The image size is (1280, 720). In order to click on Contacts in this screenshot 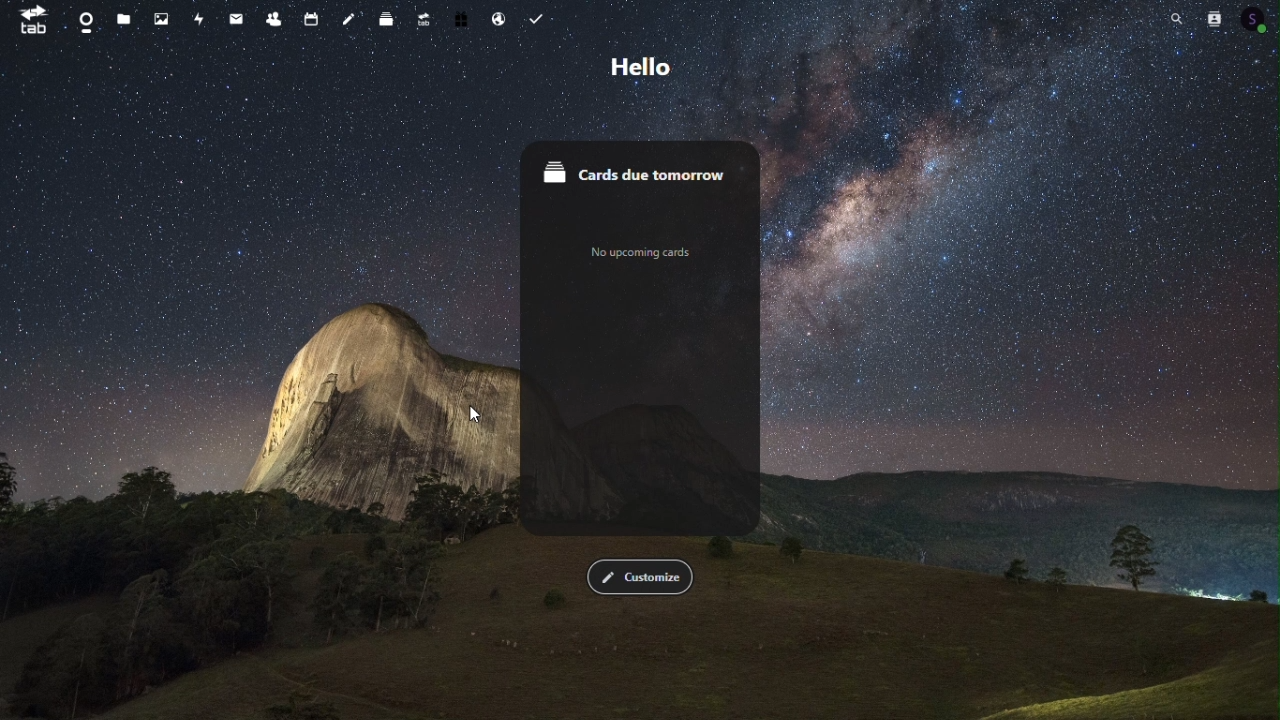, I will do `click(1215, 16)`.